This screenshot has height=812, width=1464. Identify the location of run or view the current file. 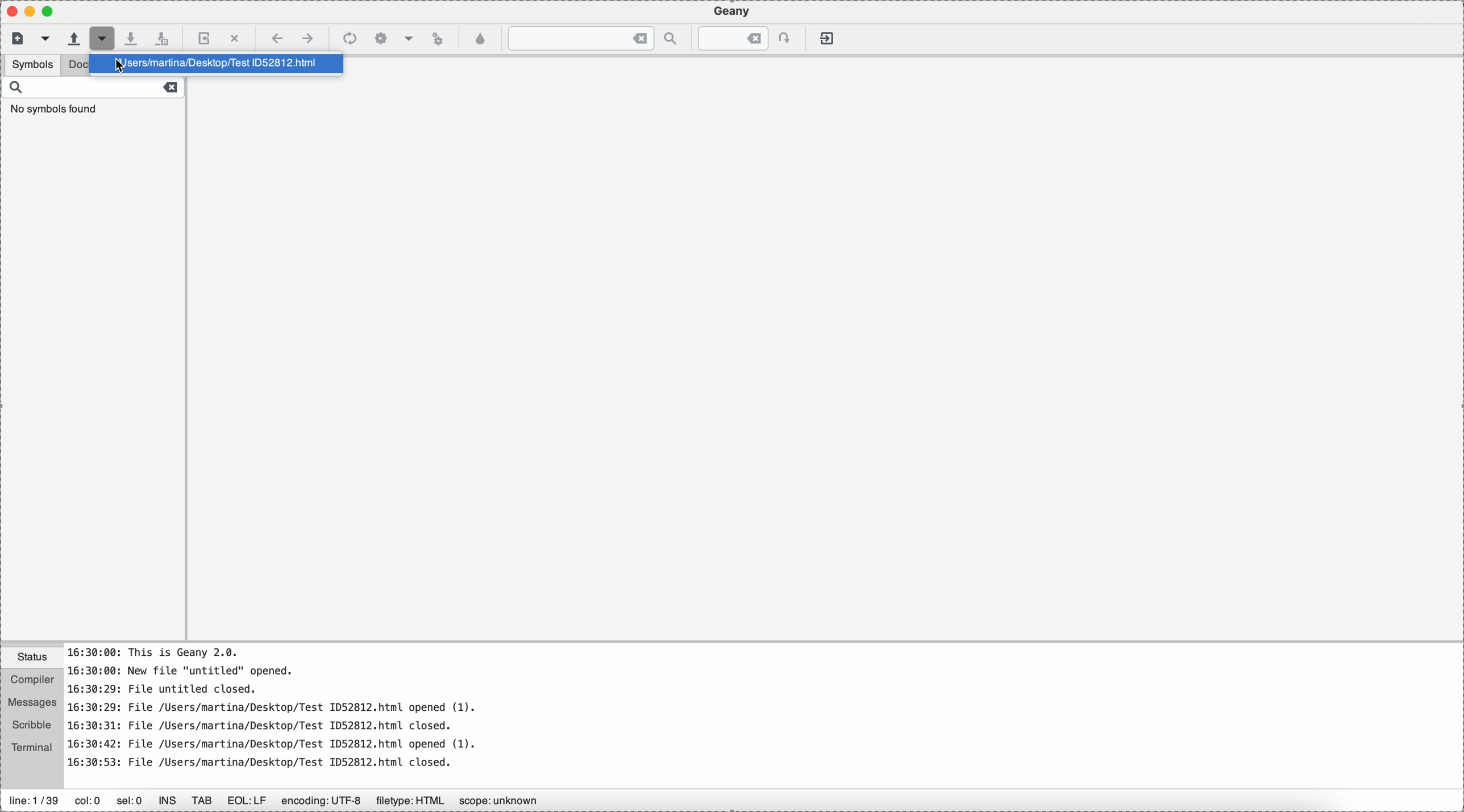
(437, 39).